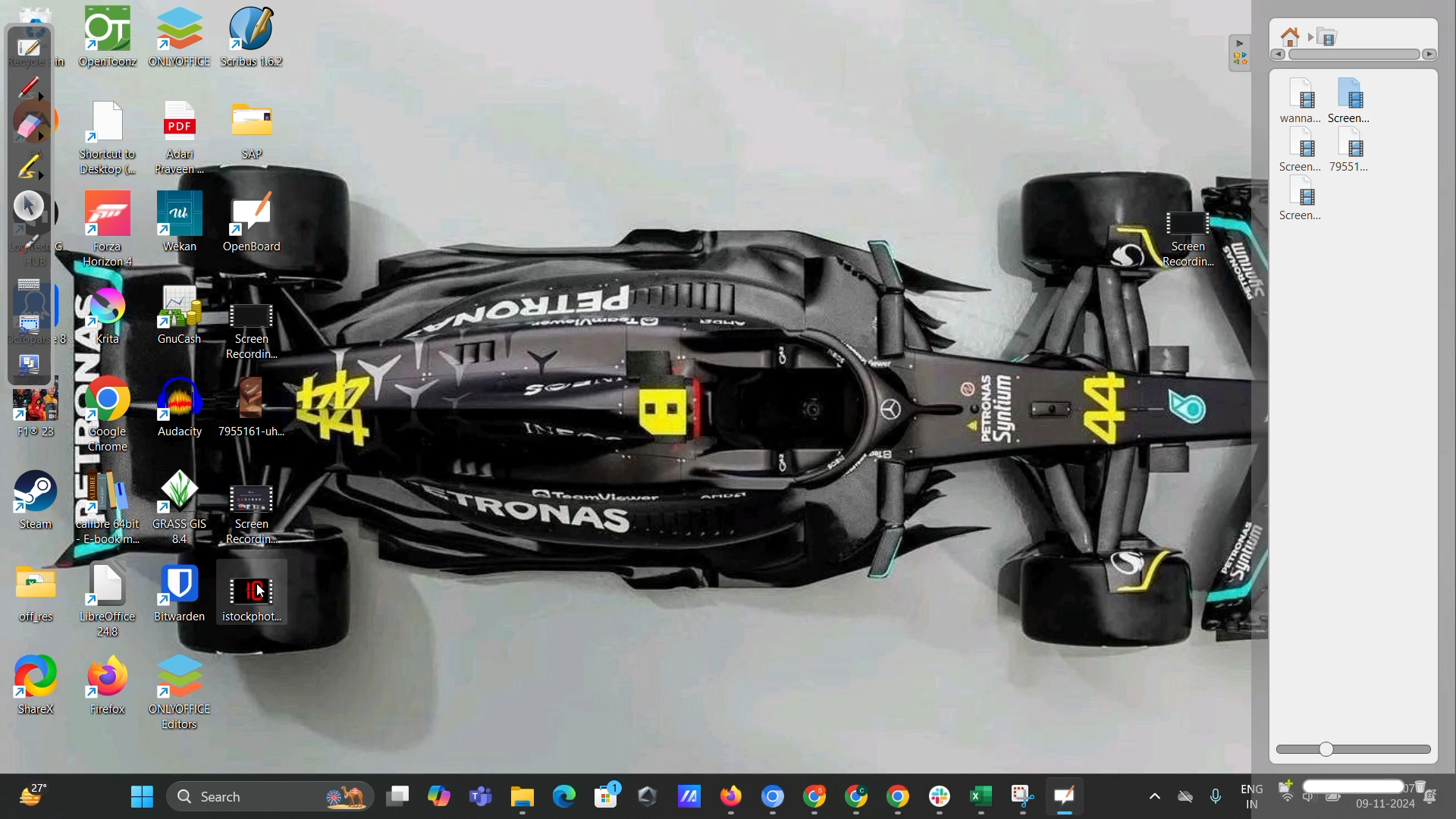 This screenshot has height=819, width=1456. I want to click on Copilot, so click(437, 798).